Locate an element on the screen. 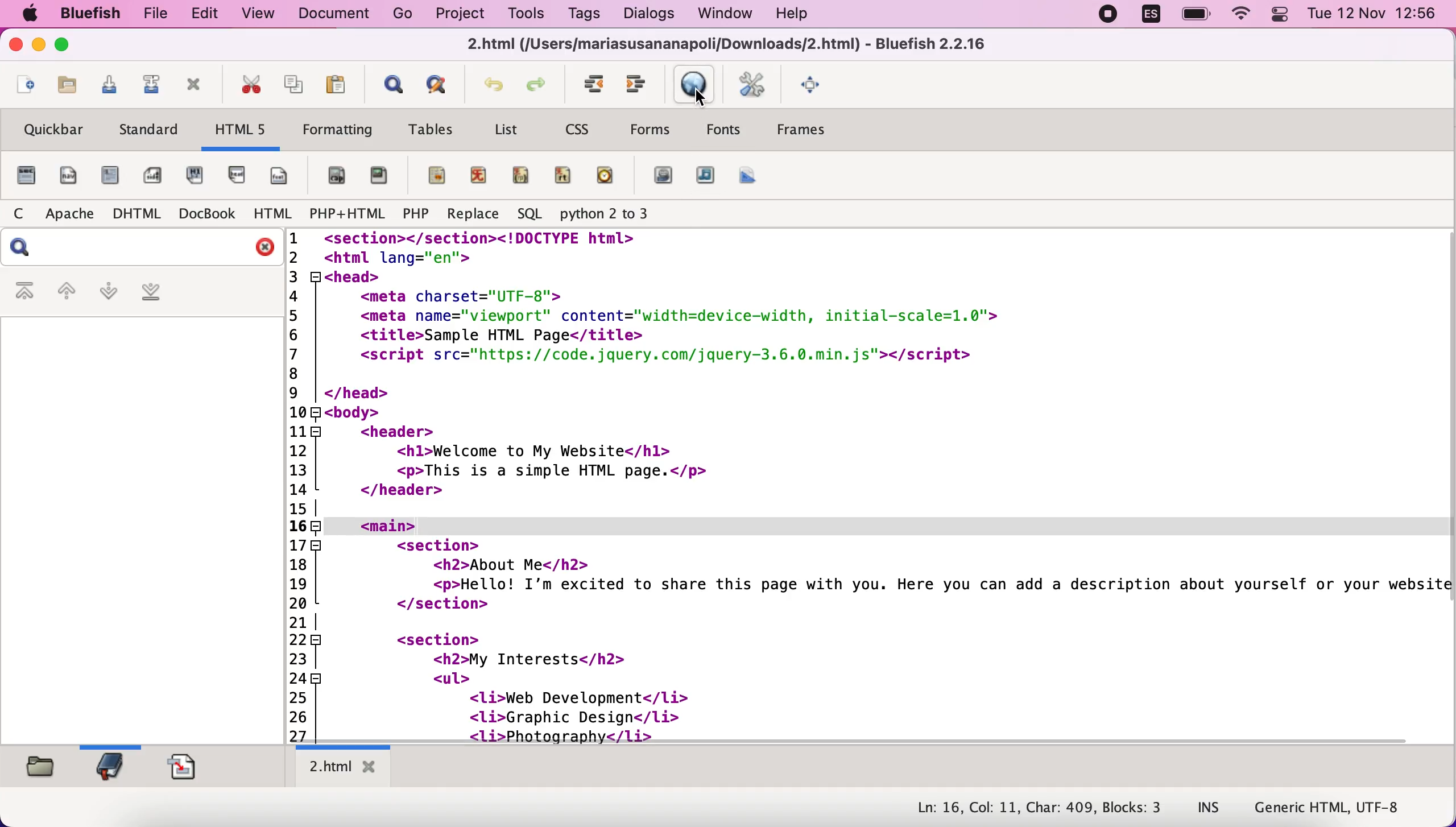 This screenshot has height=827, width=1456. e-mail is located at coordinates (606, 176).